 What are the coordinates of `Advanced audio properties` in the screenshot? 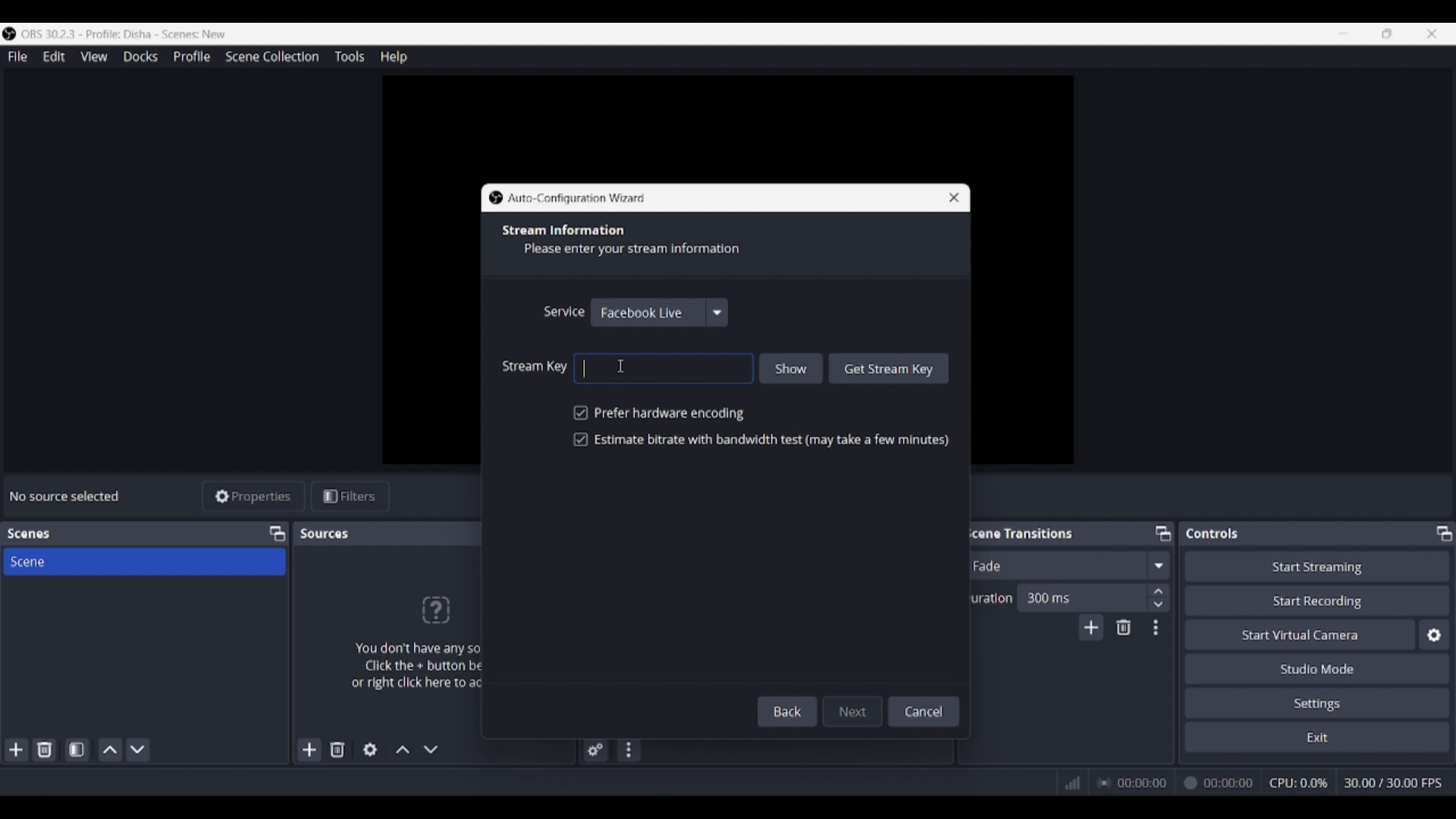 It's located at (595, 750).